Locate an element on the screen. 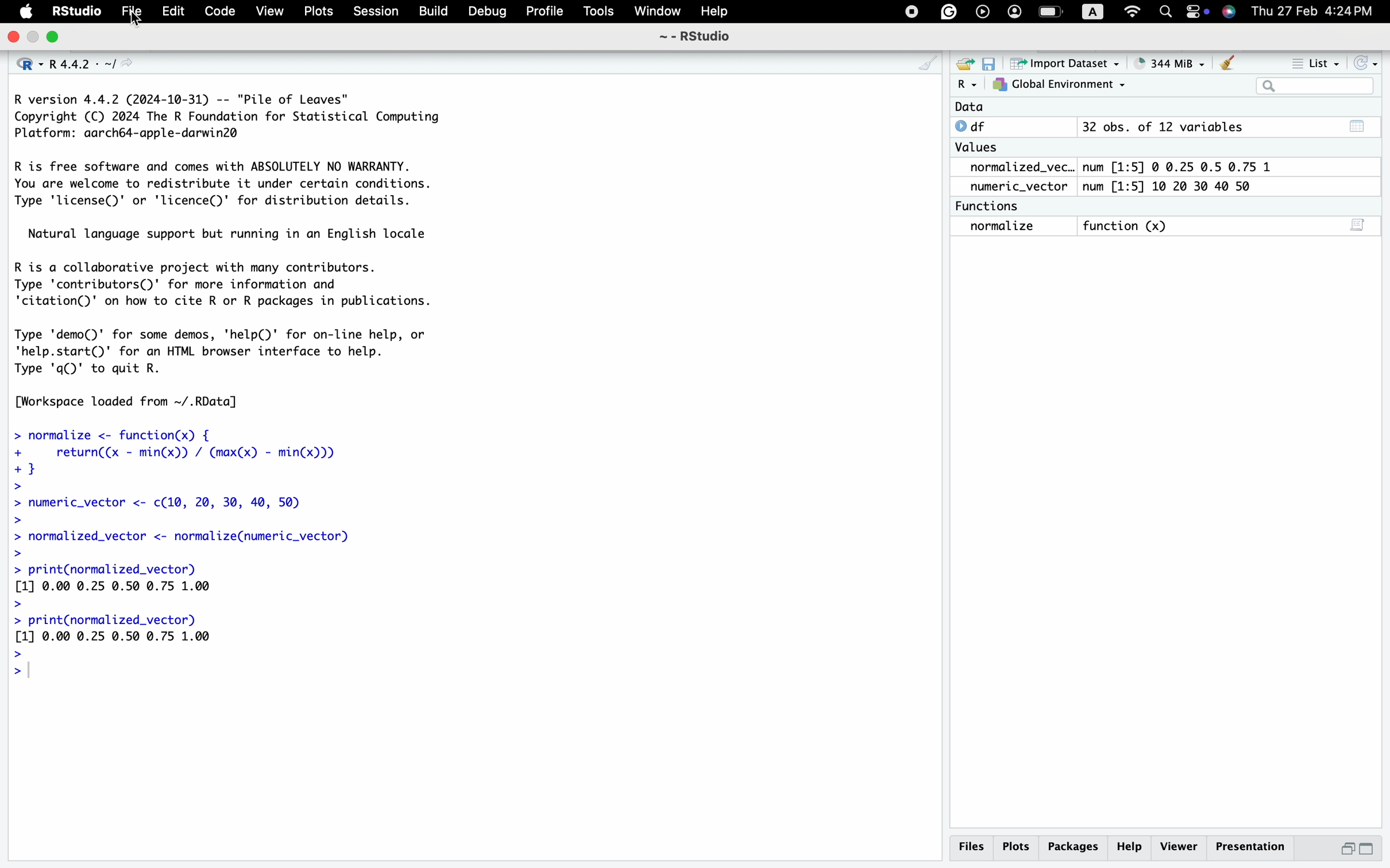  Data
O df 32 obs. of 12 variables
Values
normalized_vec.. num [1:5] @ 0.25 0.5 0.75 1
numeric_vector num [1:5] 10 20 30 40 50
Functions
normalize function (x) is located at coordinates (1120, 177).